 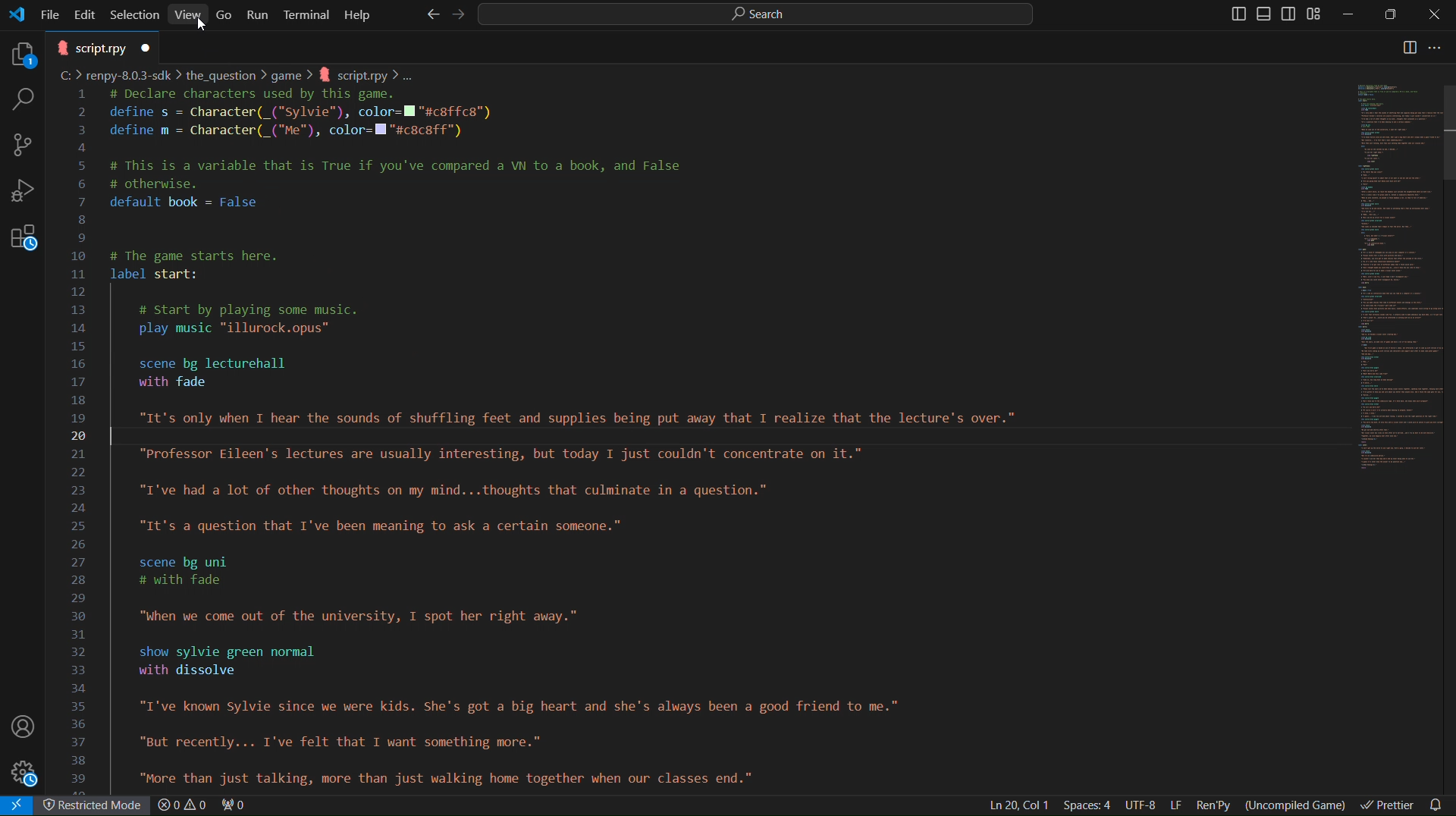 I want to click on Logo, so click(x=17, y=14).